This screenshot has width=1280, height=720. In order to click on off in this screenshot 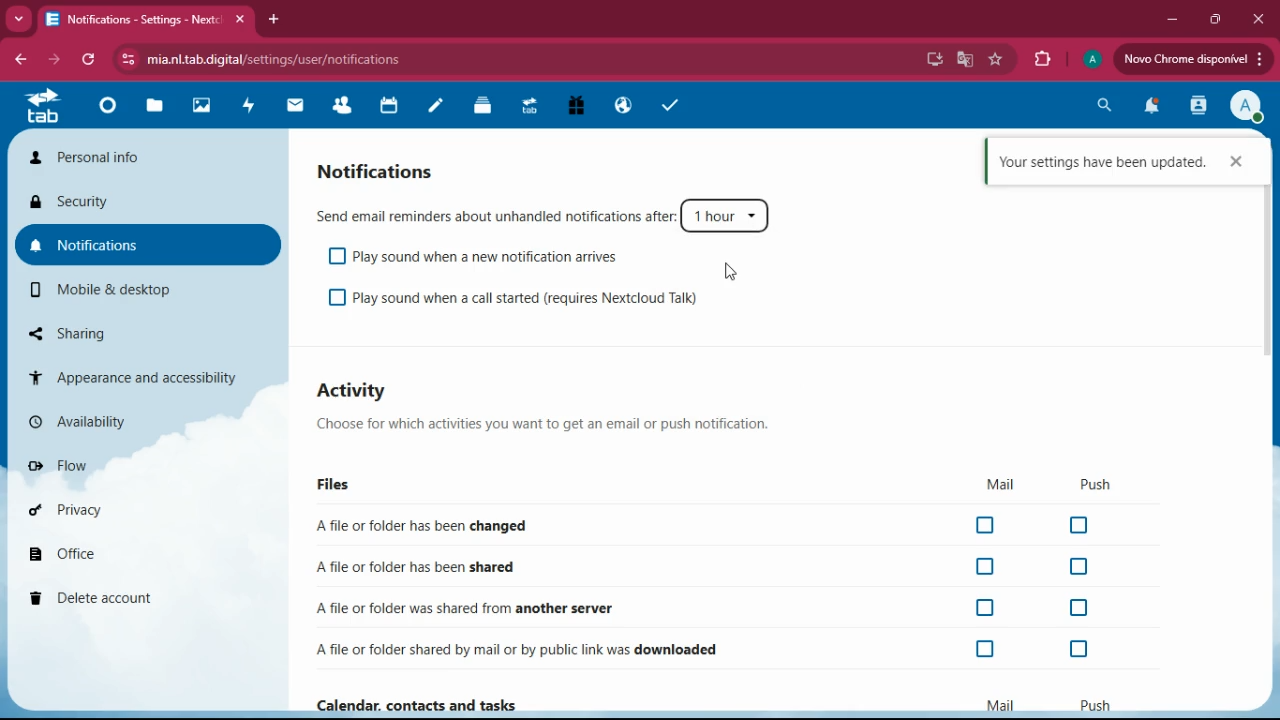, I will do `click(1078, 650)`.